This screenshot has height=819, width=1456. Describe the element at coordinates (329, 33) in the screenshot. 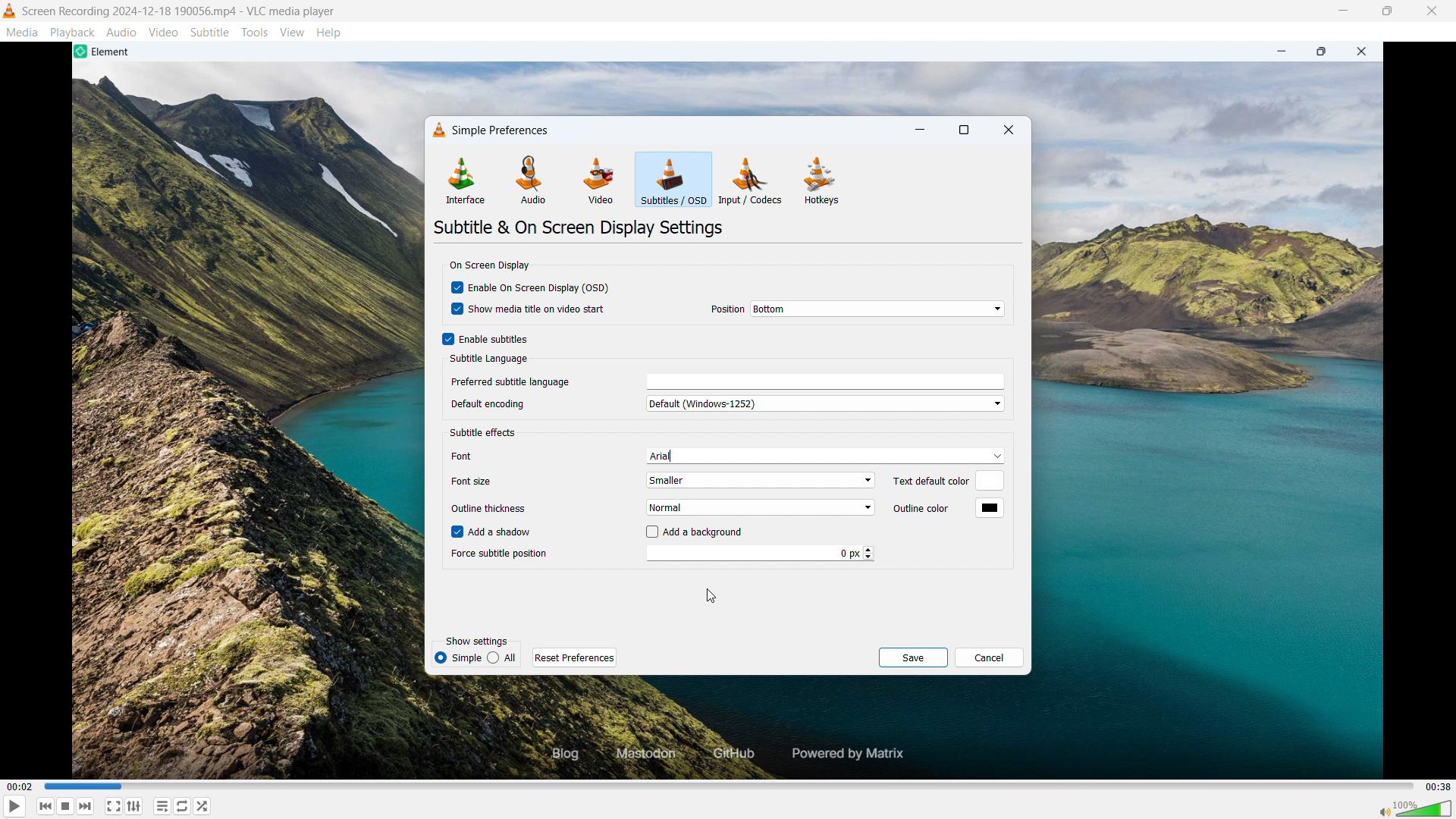

I see `help` at that location.